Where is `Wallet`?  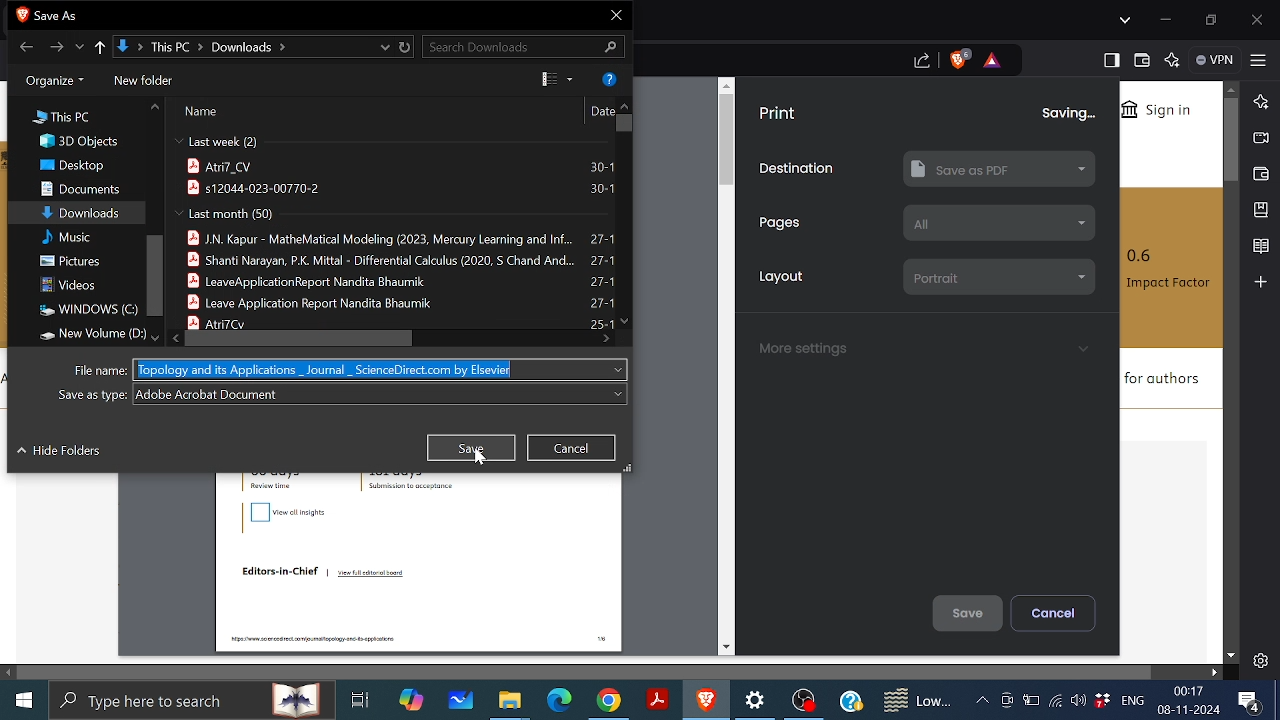 Wallet is located at coordinates (1260, 174).